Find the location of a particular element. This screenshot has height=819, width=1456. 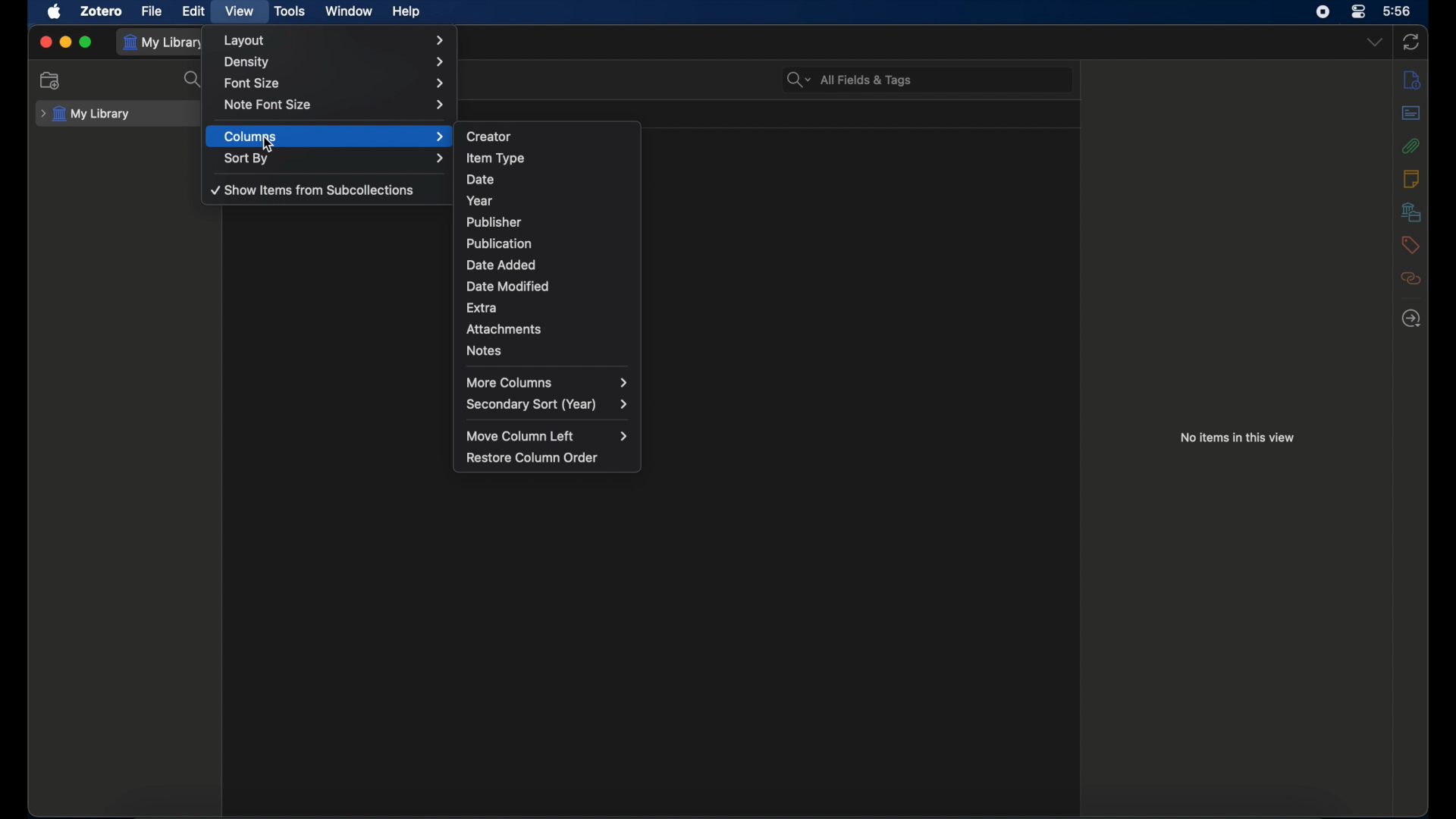

publication is located at coordinates (551, 242).